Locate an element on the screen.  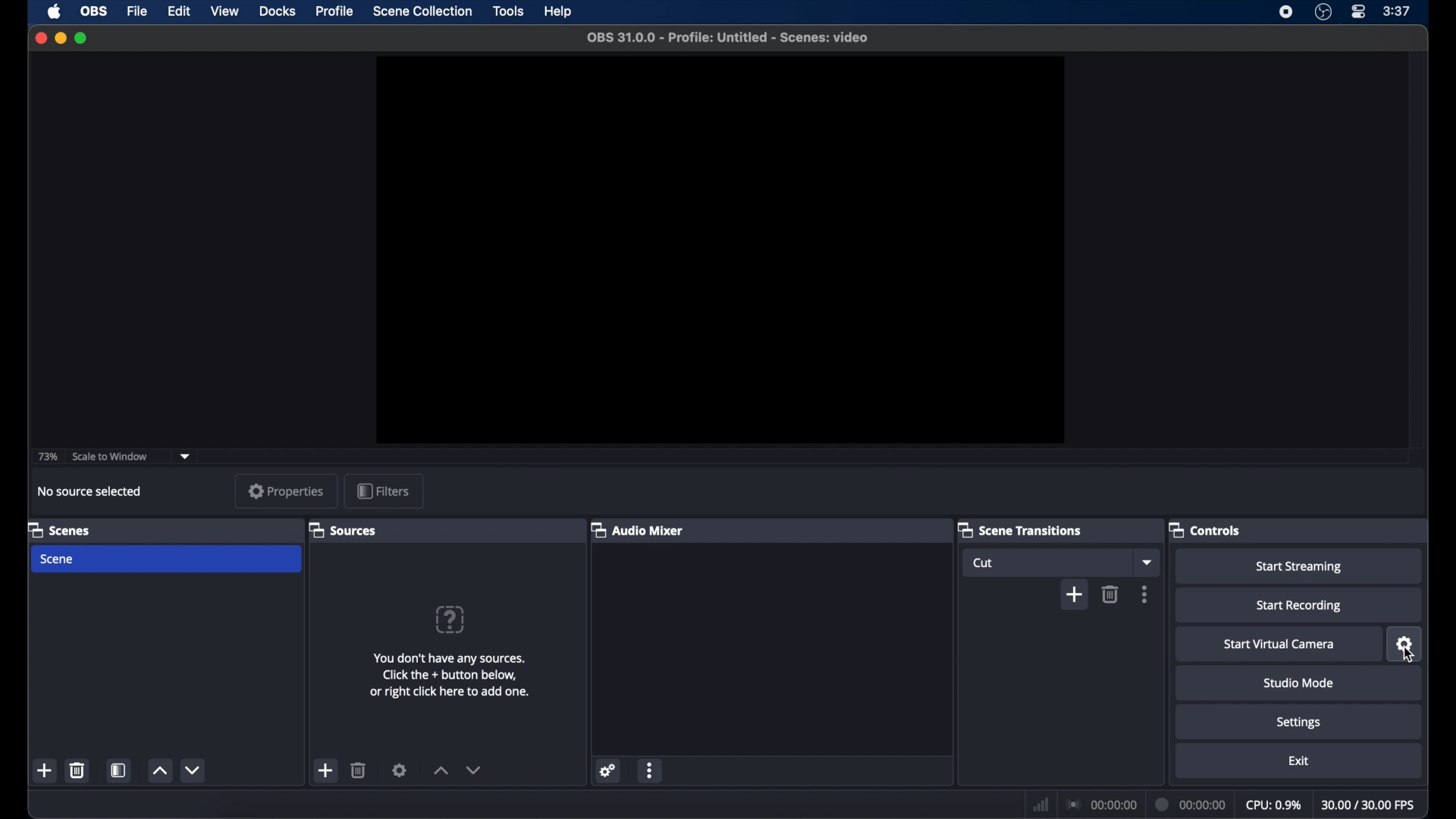
fps is located at coordinates (1369, 805).